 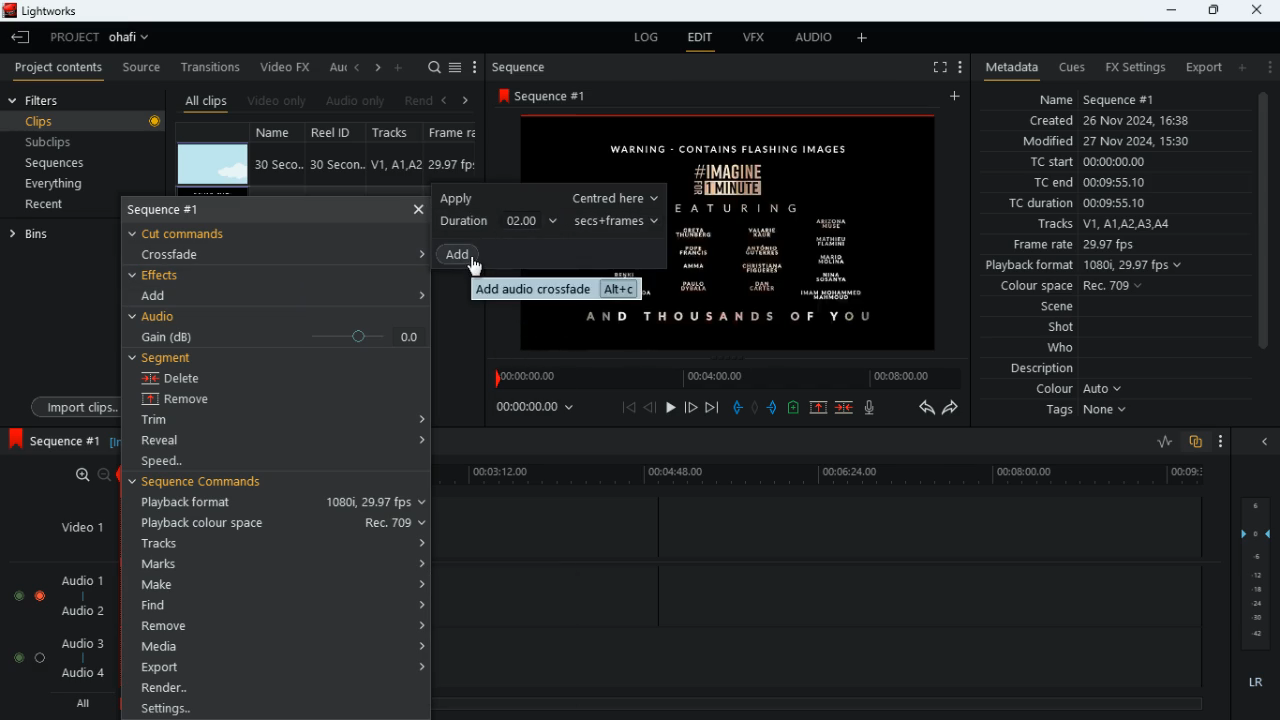 I want to click on Toggle, so click(x=40, y=593).